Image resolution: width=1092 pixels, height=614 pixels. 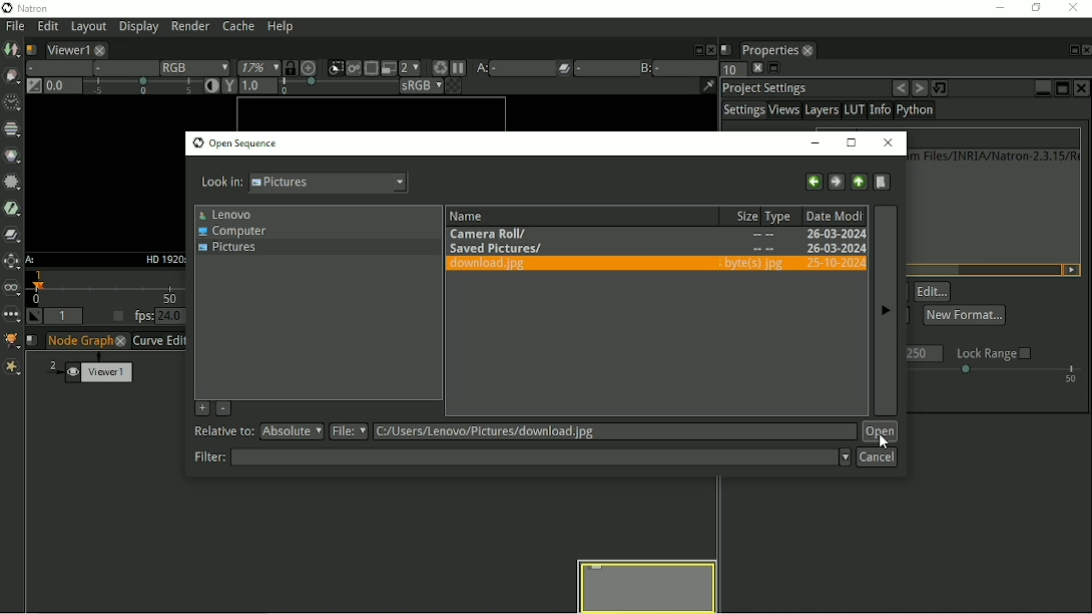 What do you see at coordinates (255, 68) in the screenshot?
I see `Zoom` at bounding box center [255, 68].